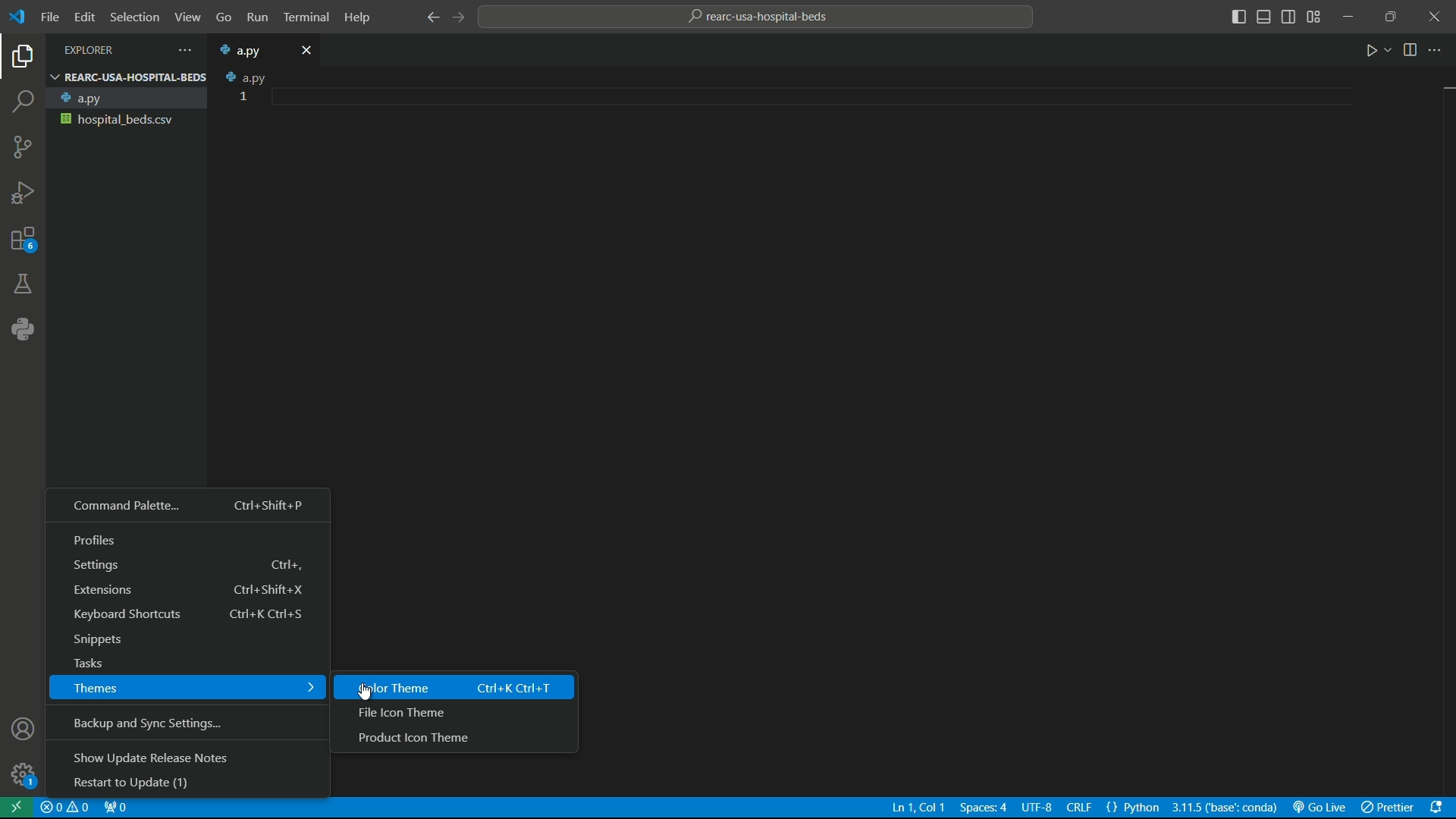 The image size is (1456, 819). What do you see at coordinates (22, 193) in the screenshot?
I see `run or debugging` at bounding box center [22, 193].